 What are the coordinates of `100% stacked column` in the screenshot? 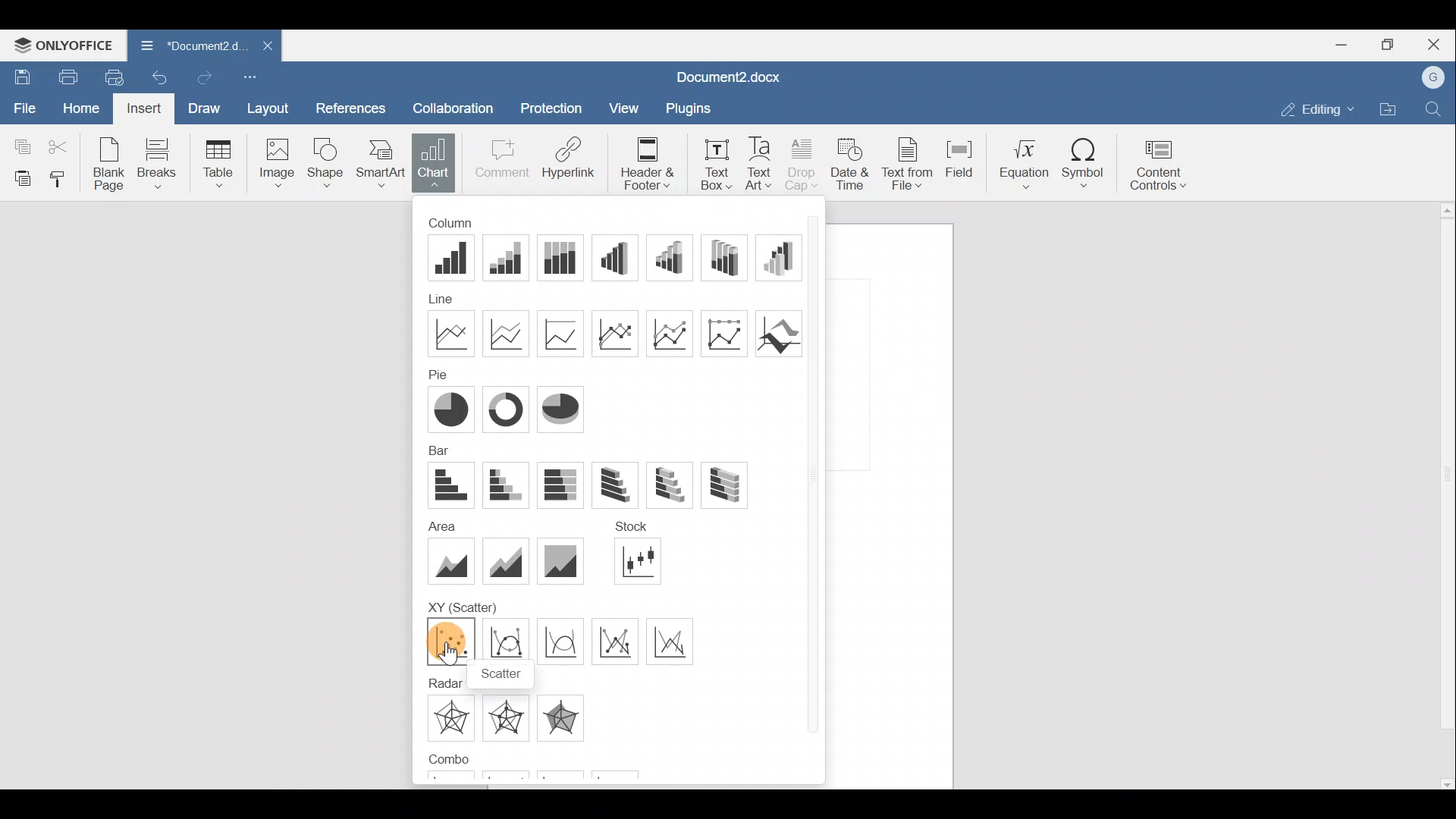 It's located at (567, 258).